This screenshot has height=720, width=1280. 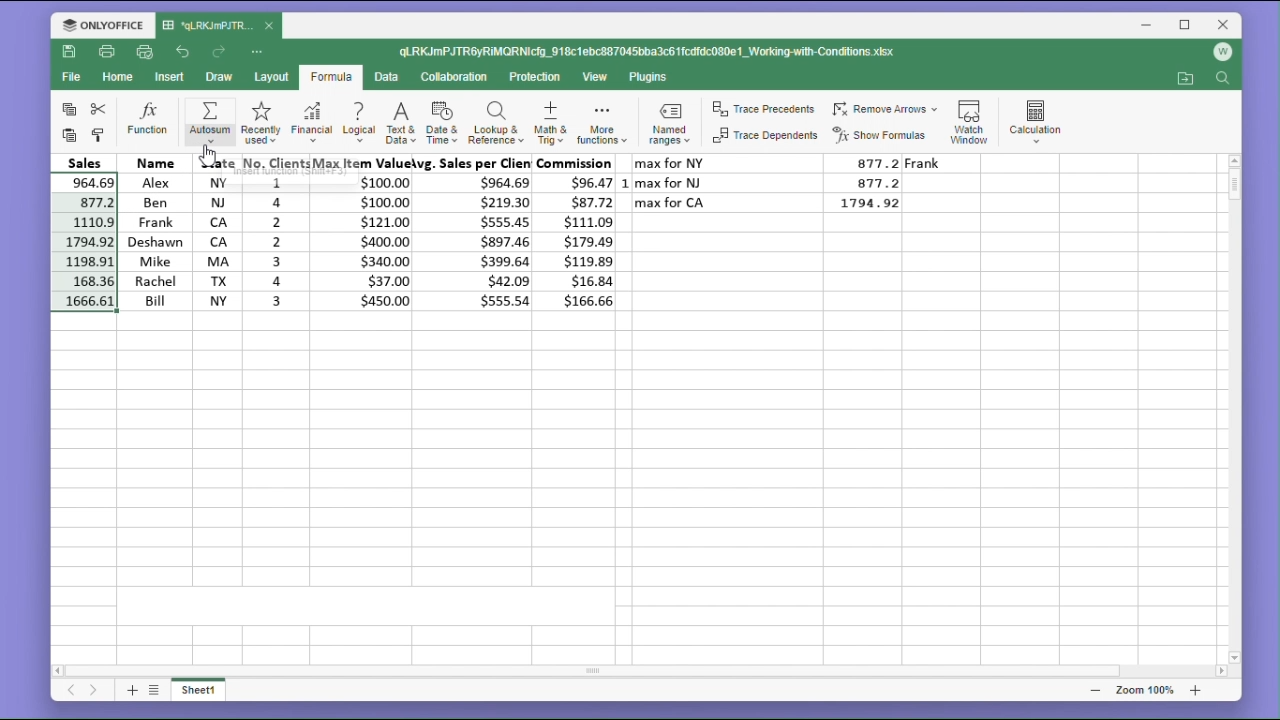 What do you see at coordinates (885, 106) in the screenshot?
I see `remove arrows` at bounding box center [885, 106].